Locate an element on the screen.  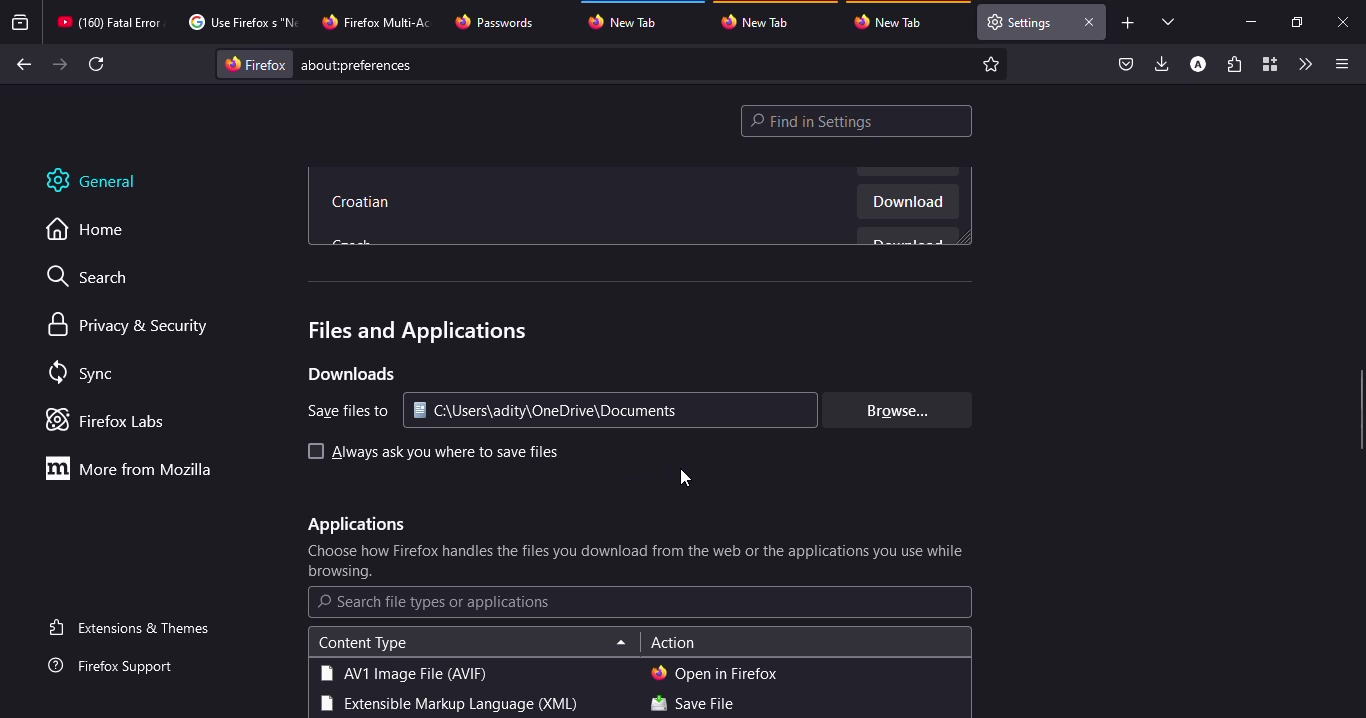
downloads is located at coordinates (350, 374).